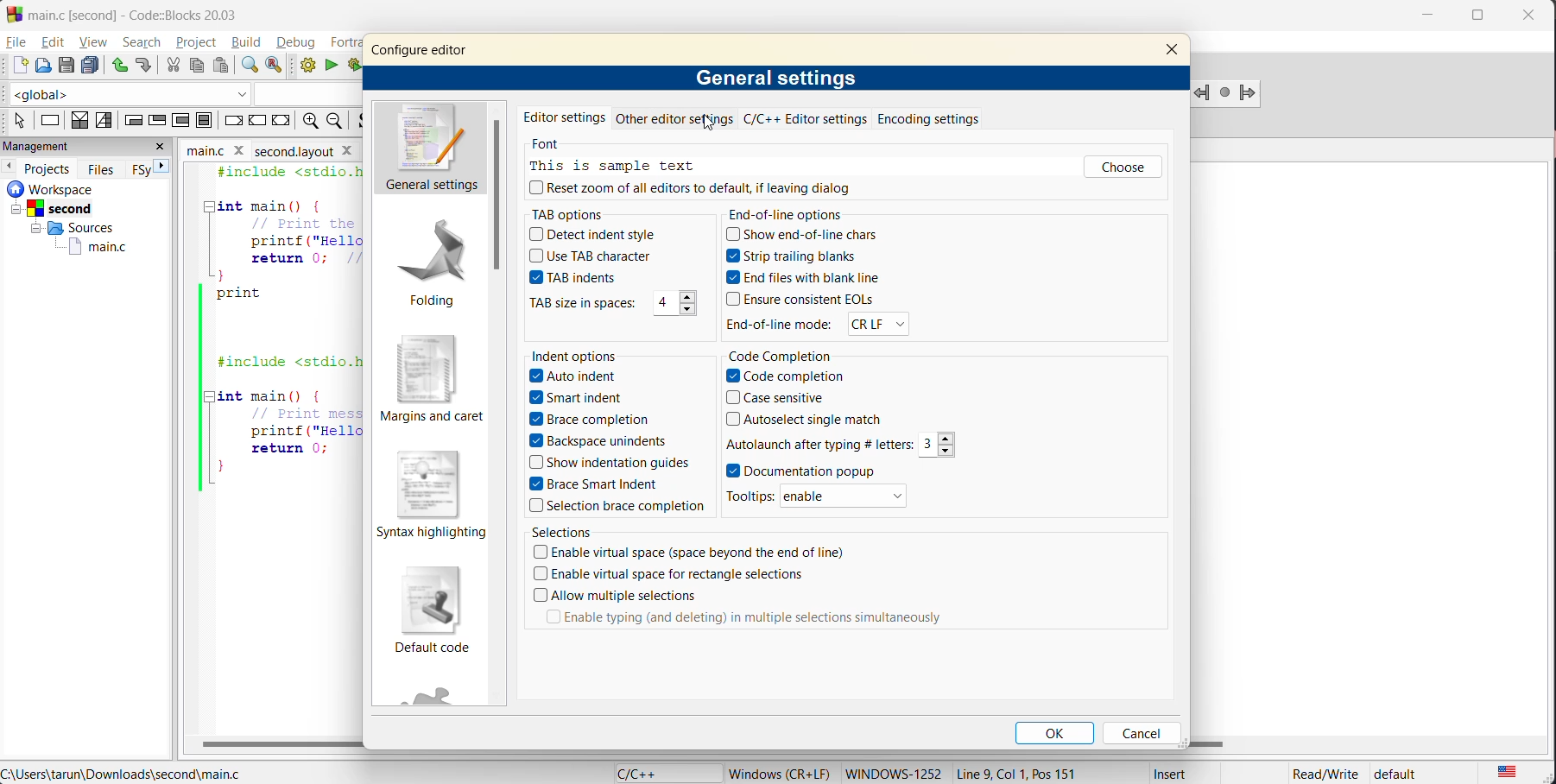 The width and height of the screenshot is (1556, 784). I want to click on Show end-of-line chars, so click(803, 233).